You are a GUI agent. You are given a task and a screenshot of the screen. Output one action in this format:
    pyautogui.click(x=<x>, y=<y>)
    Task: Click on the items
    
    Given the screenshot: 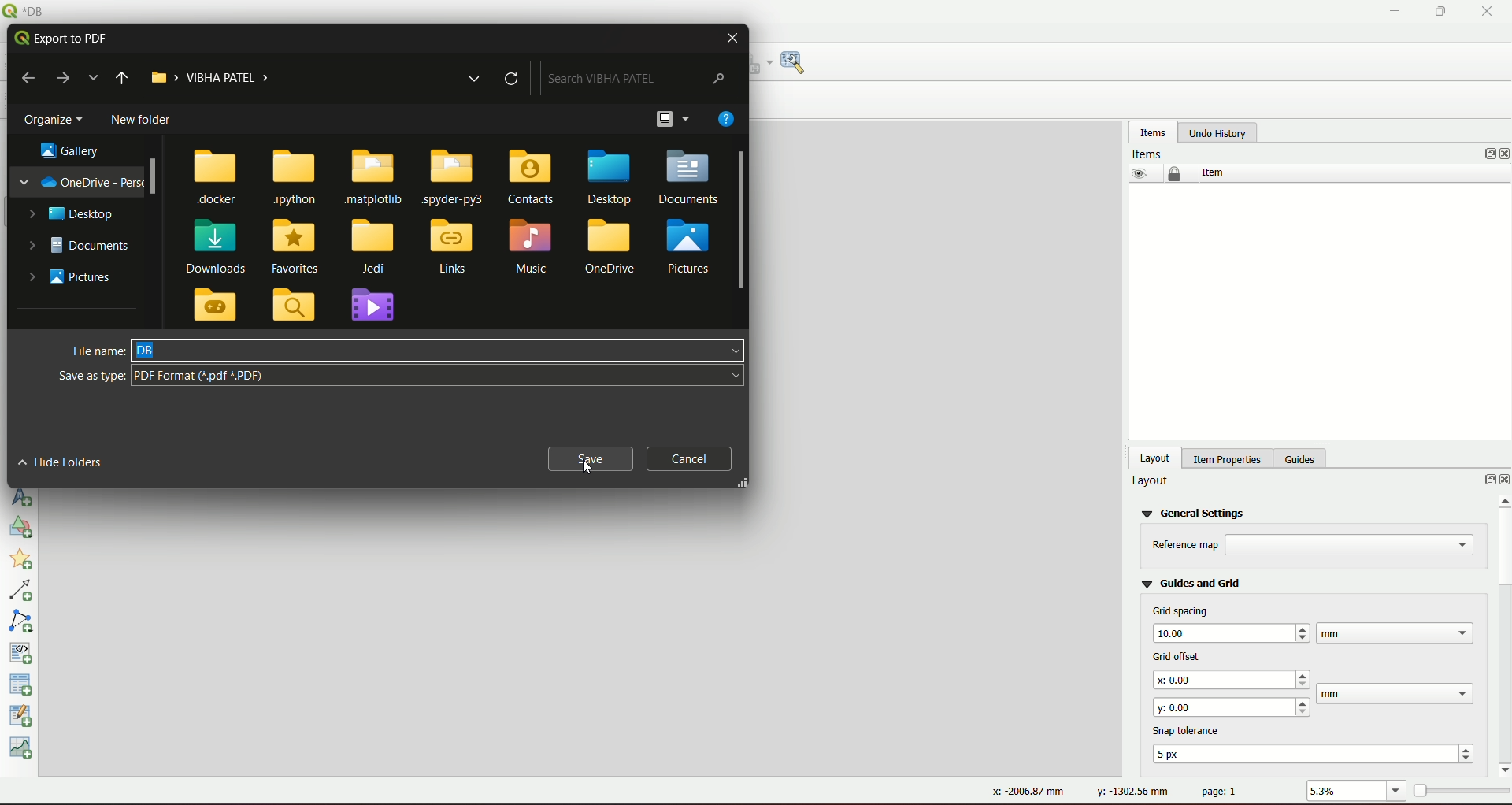 What is the action you would take?
    pyautogui.click(x=1153, y=132)
    